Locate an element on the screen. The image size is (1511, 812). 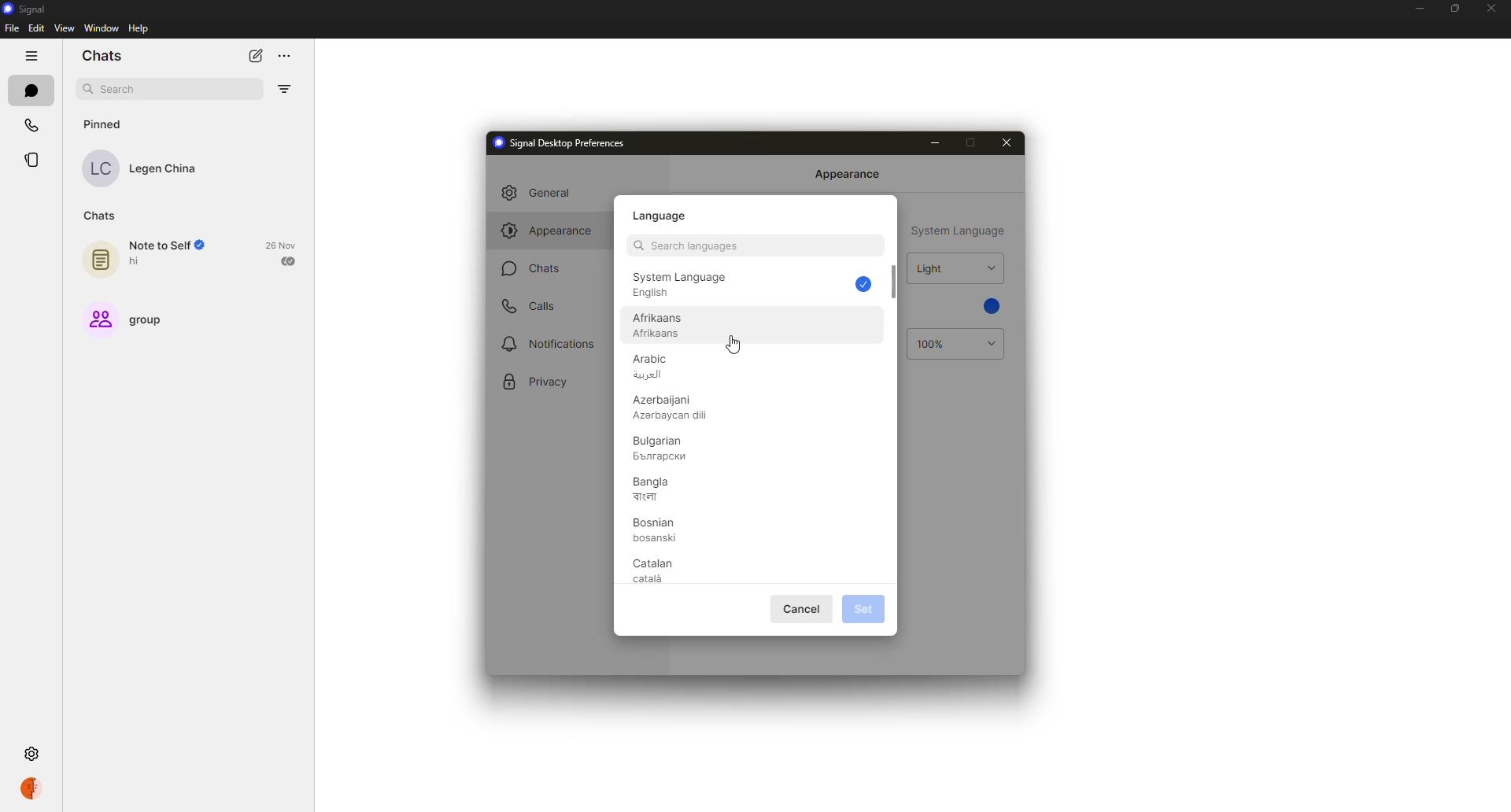
cancel is located at coordinates (804, 609).